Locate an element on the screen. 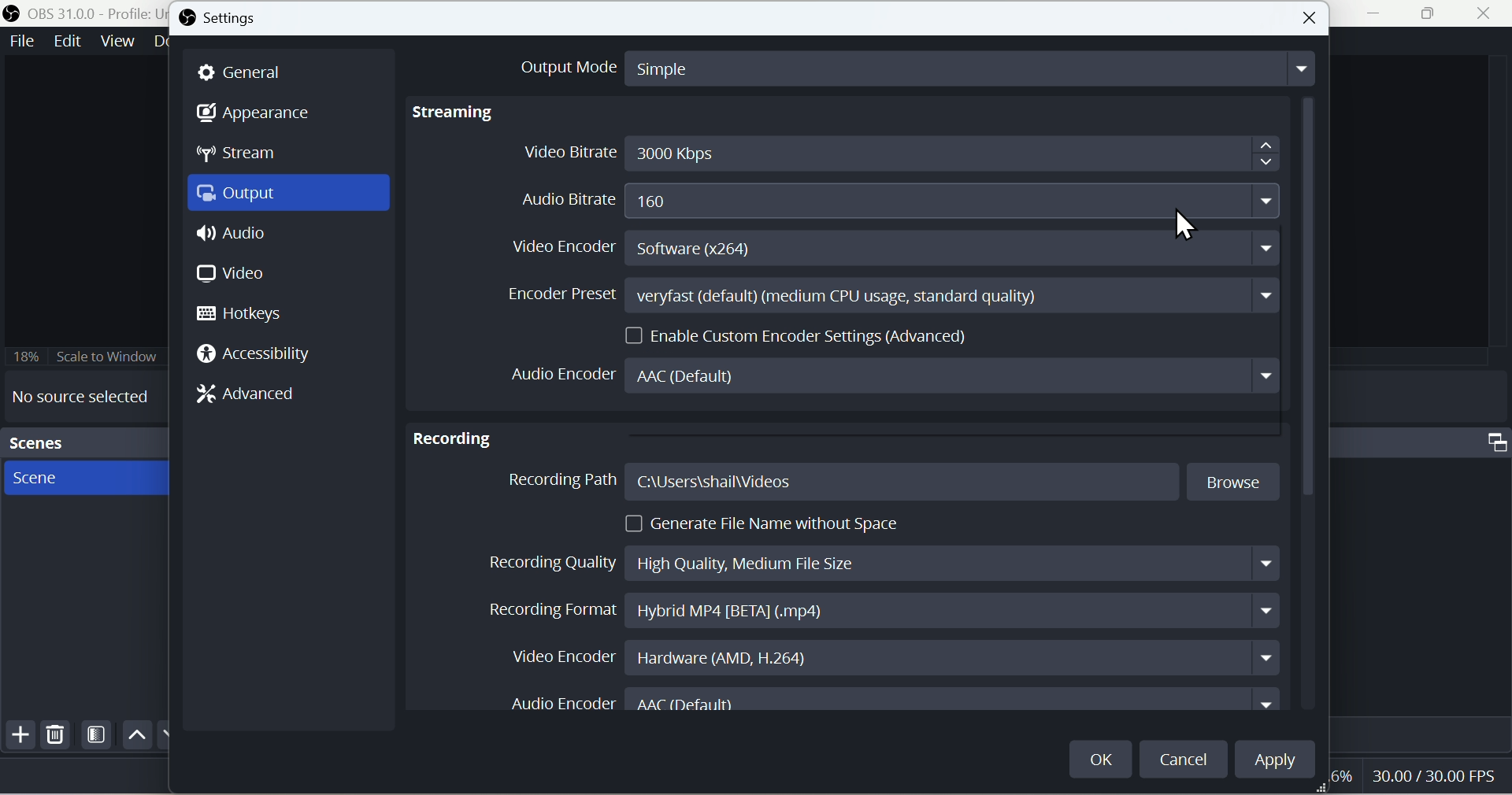  Recording is located at coordinates (453, 434).